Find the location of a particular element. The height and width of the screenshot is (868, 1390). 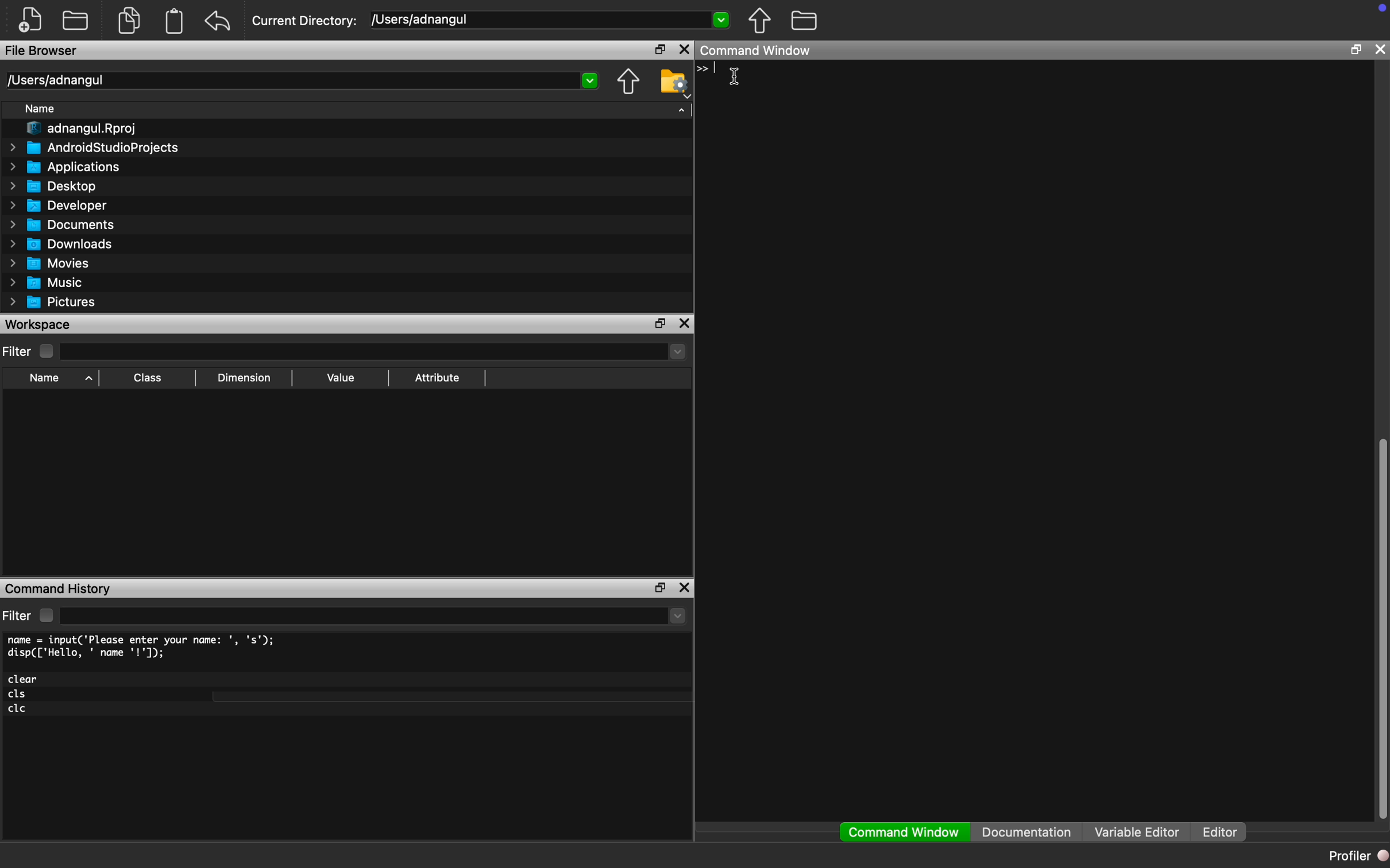

folder is located at coordinates (805, 20).